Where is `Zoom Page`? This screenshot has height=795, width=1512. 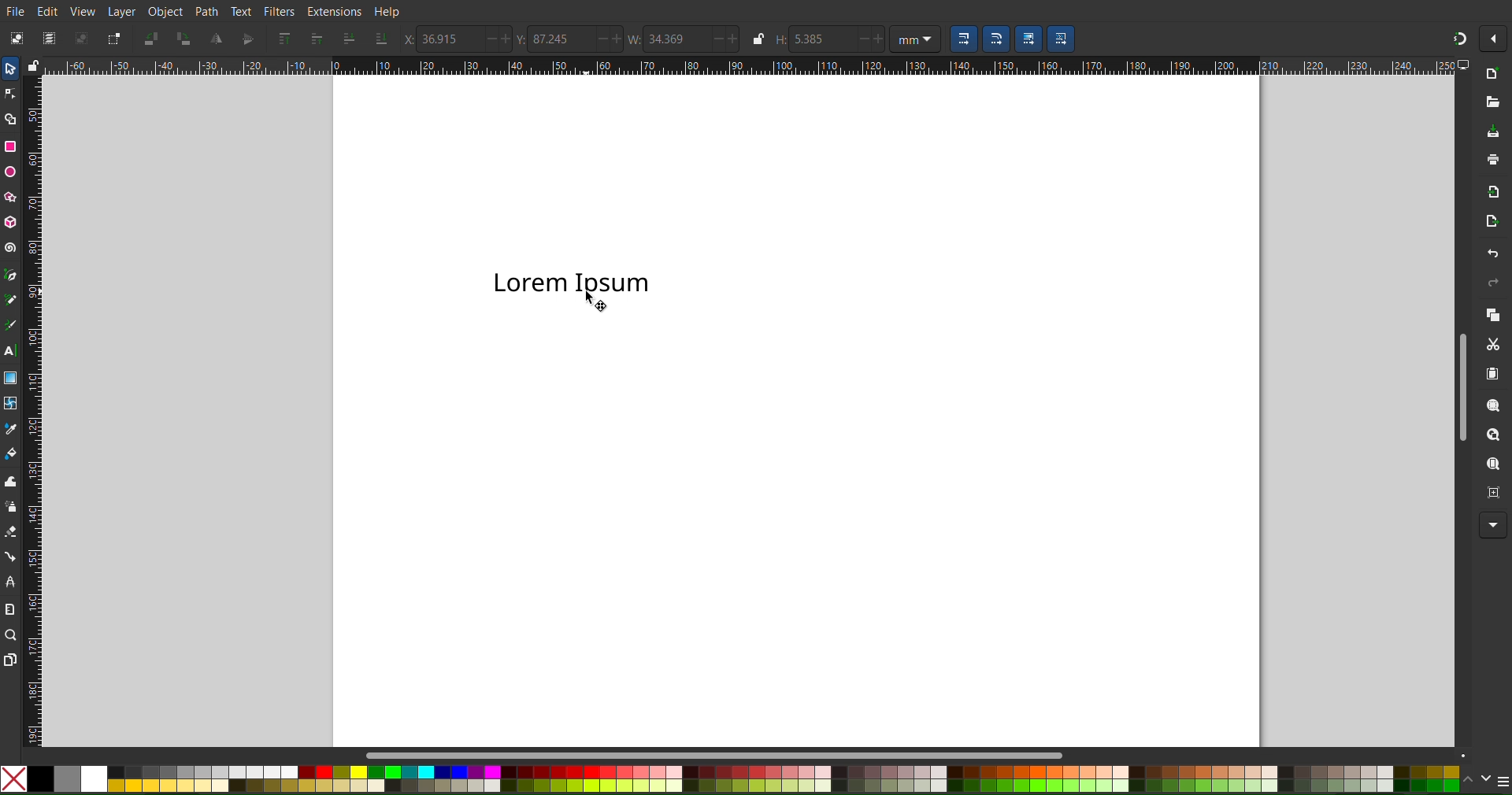 Zoom Page is located at coordinates (1488, 465).